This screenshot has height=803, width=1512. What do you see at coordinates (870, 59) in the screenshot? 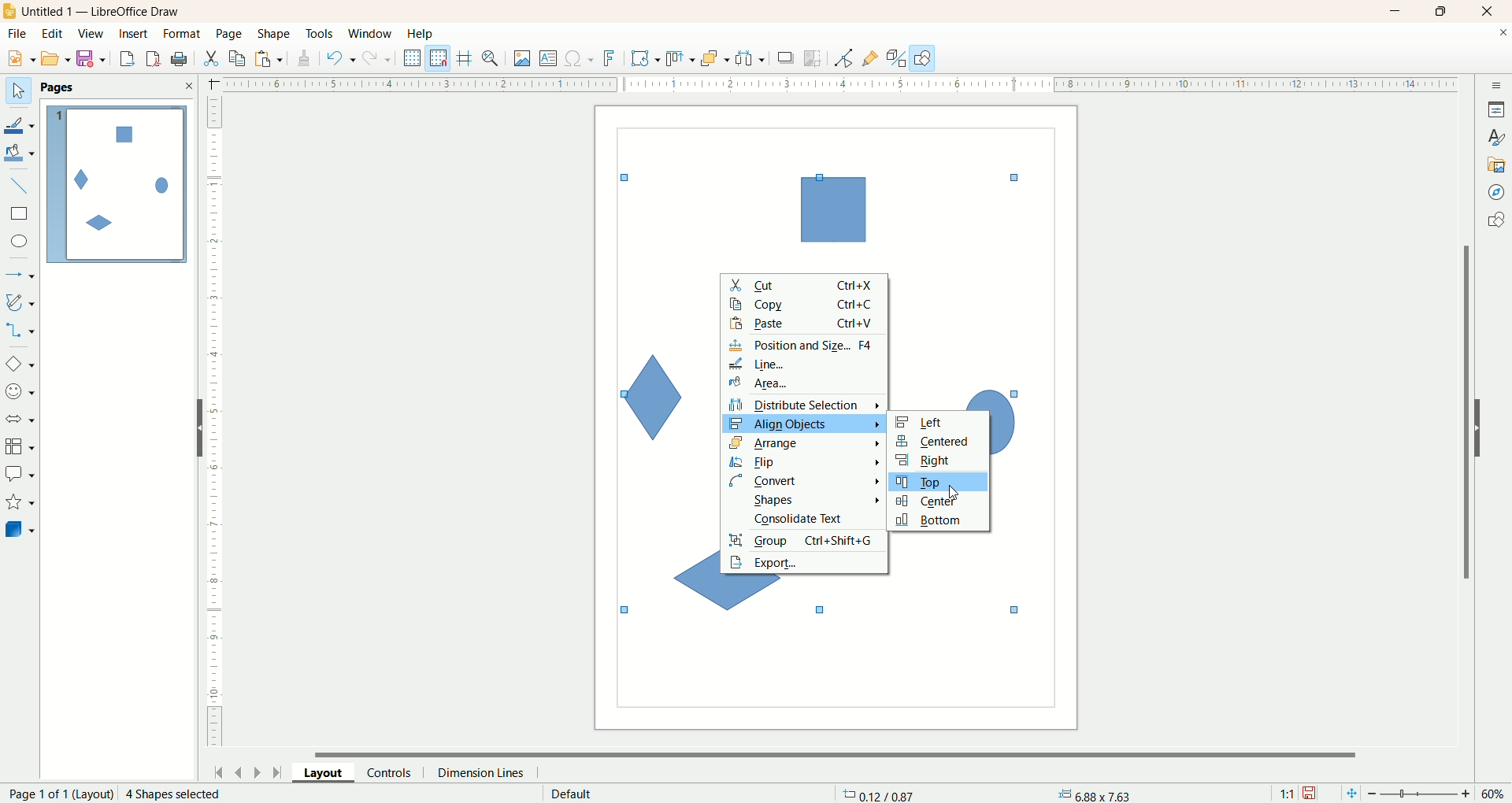
I see `gluepoint function` at bounding box center [870, 59].